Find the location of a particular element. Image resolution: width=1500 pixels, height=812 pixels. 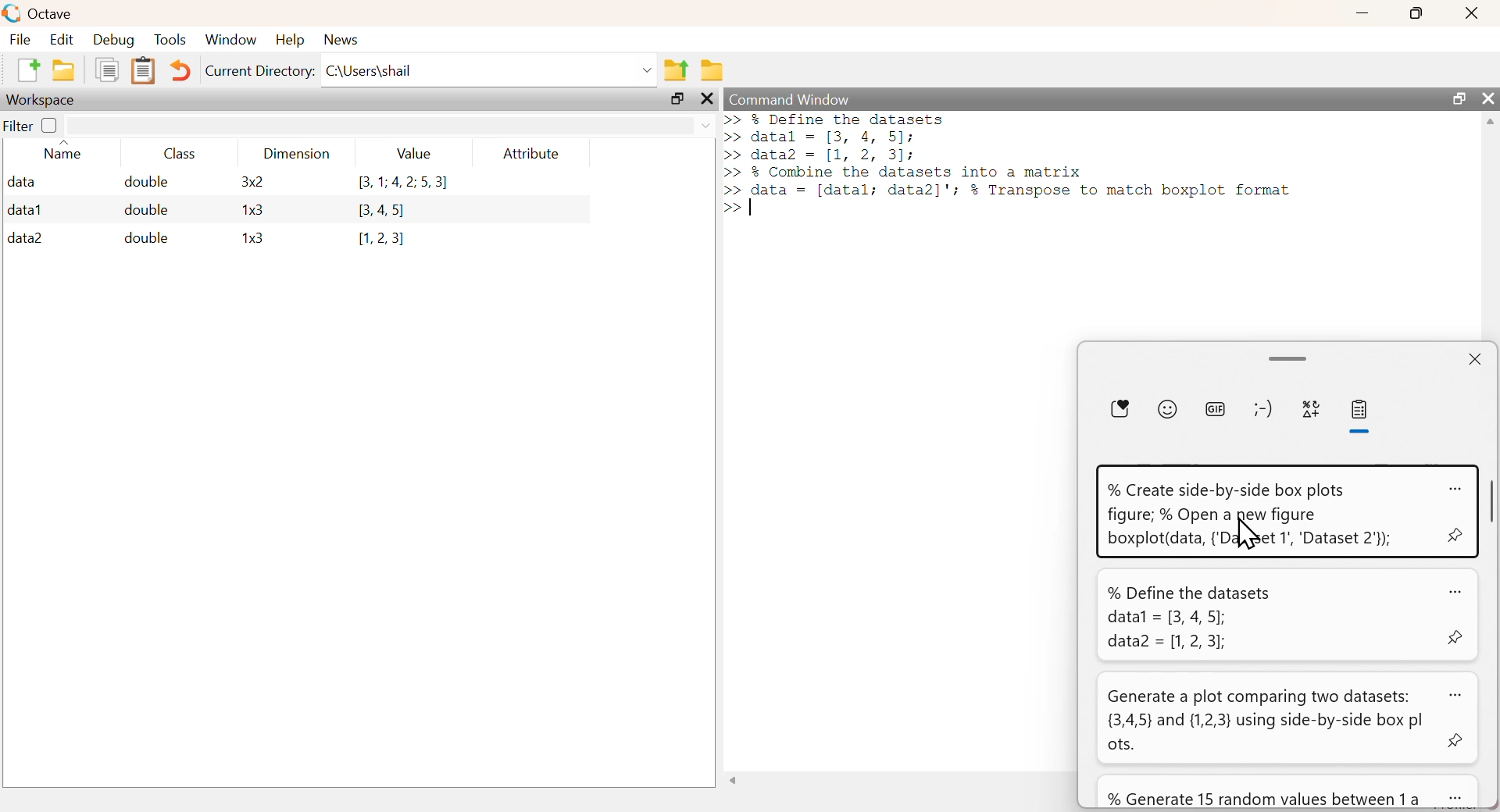

Duplicate is located at coordinates (106, 69).